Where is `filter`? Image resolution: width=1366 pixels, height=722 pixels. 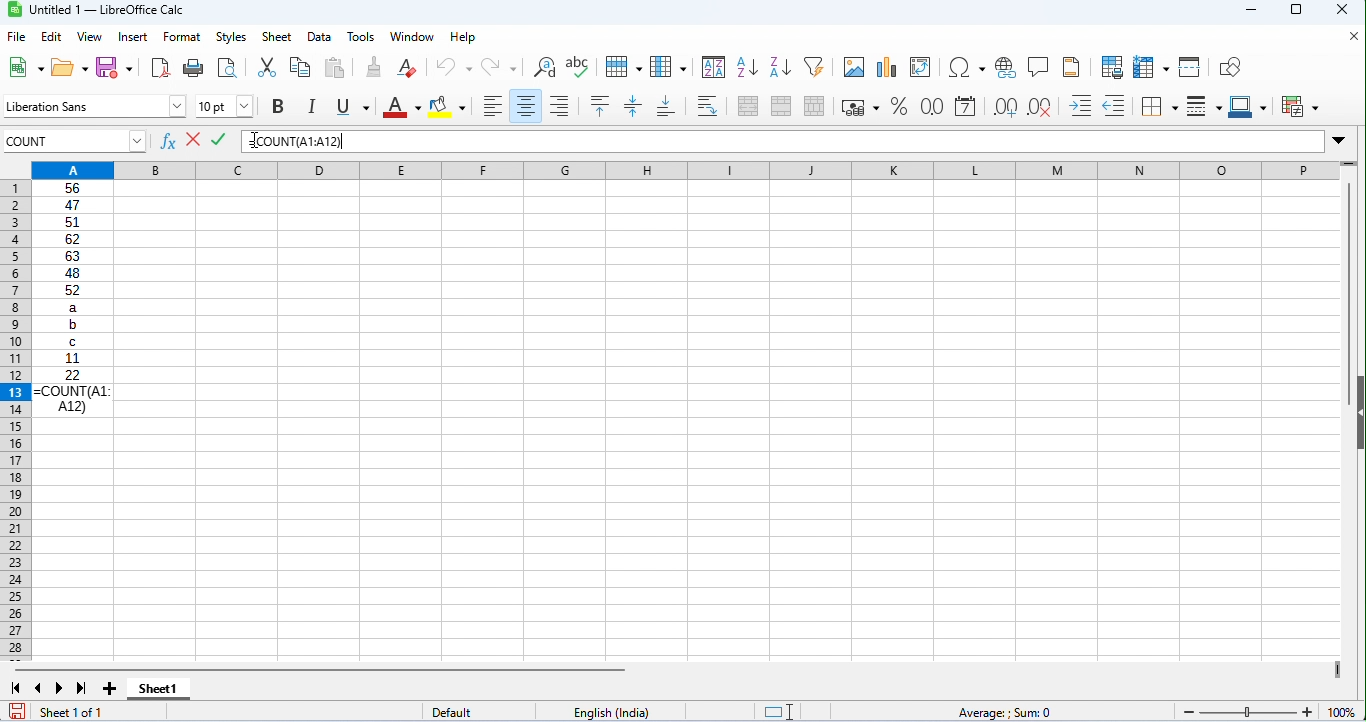
filter is located at coordinates (814, 66).